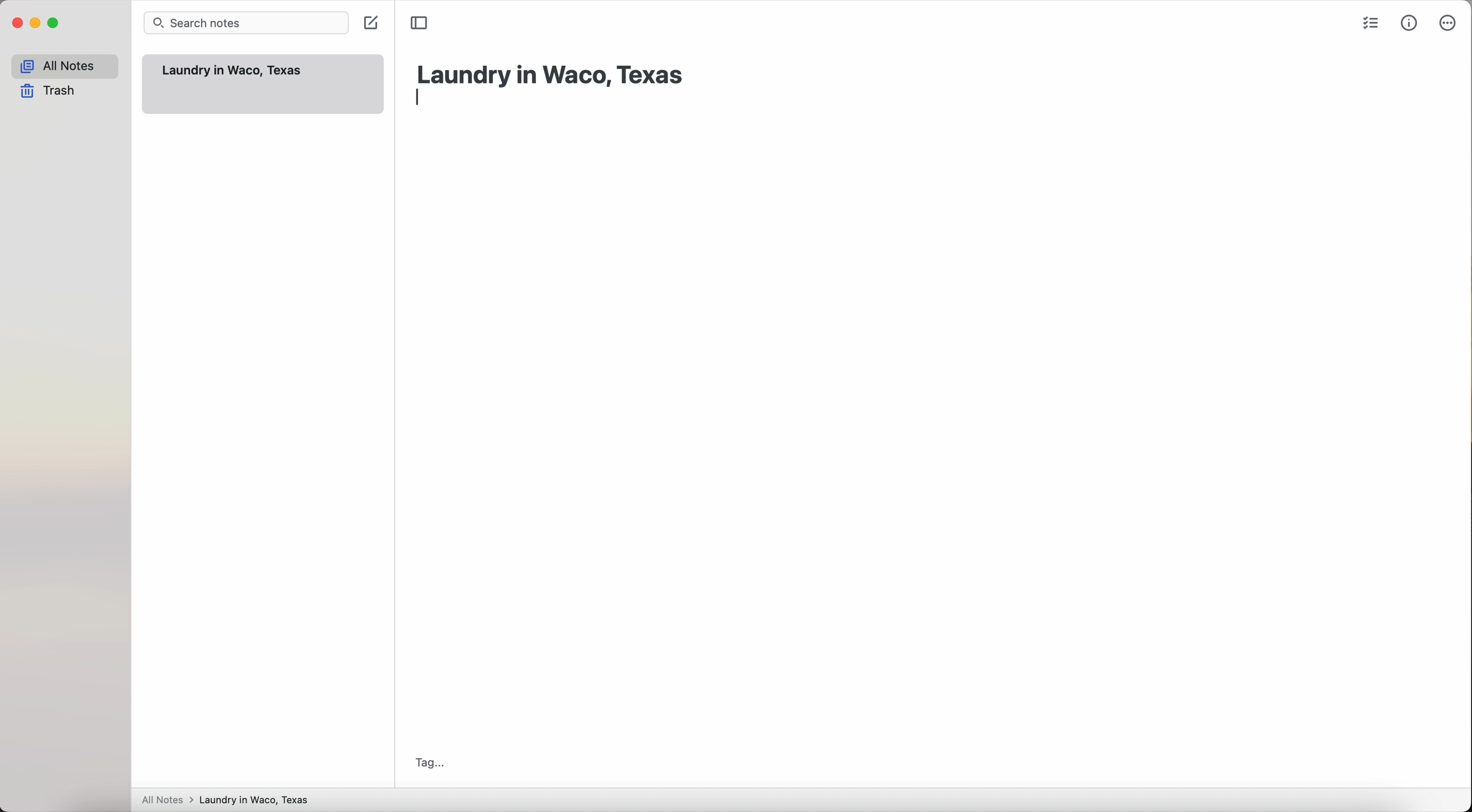  I want to click on minimize app, so click(36, 23).